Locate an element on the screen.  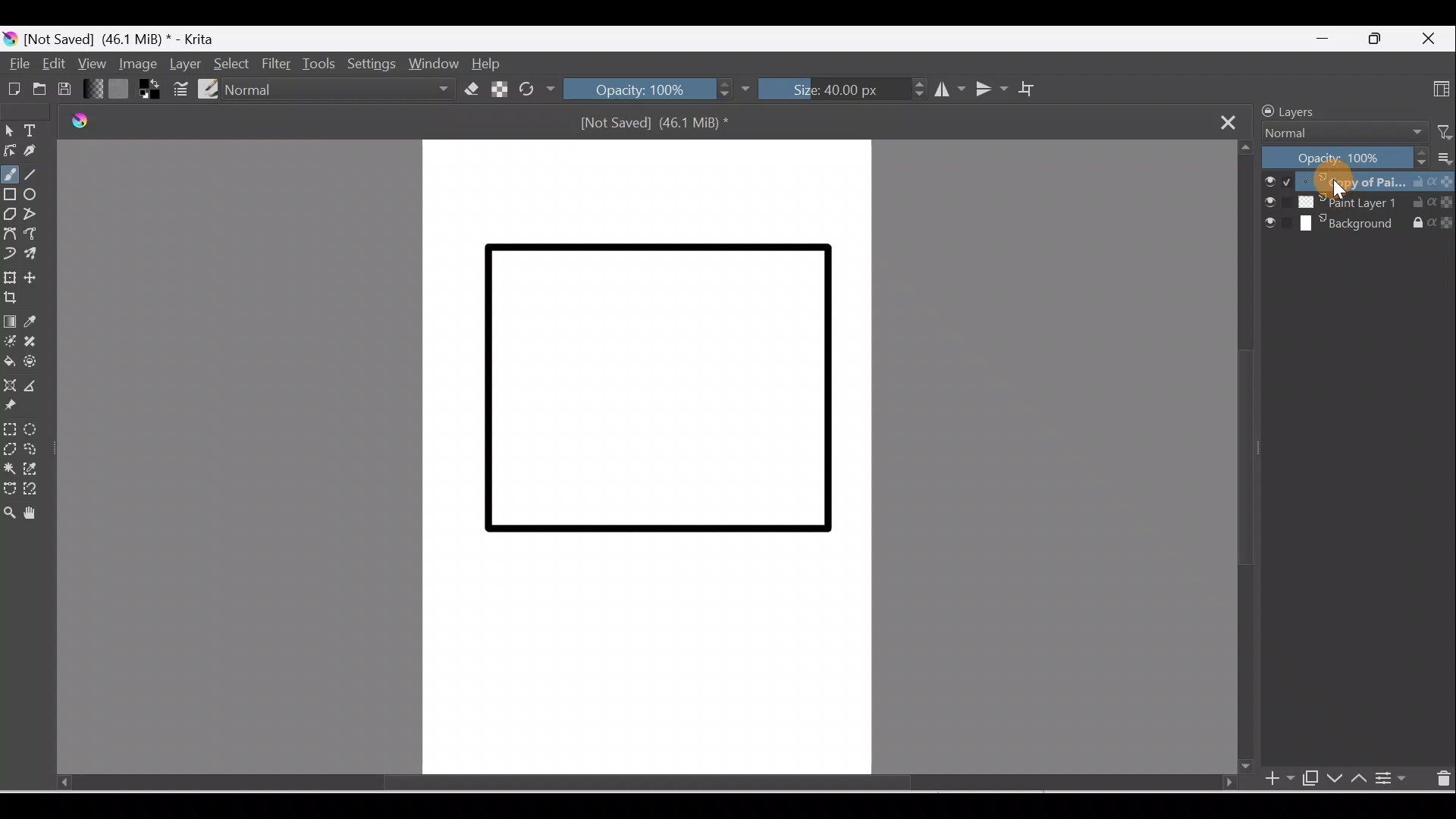
Image is located at coordinates (135, 64).